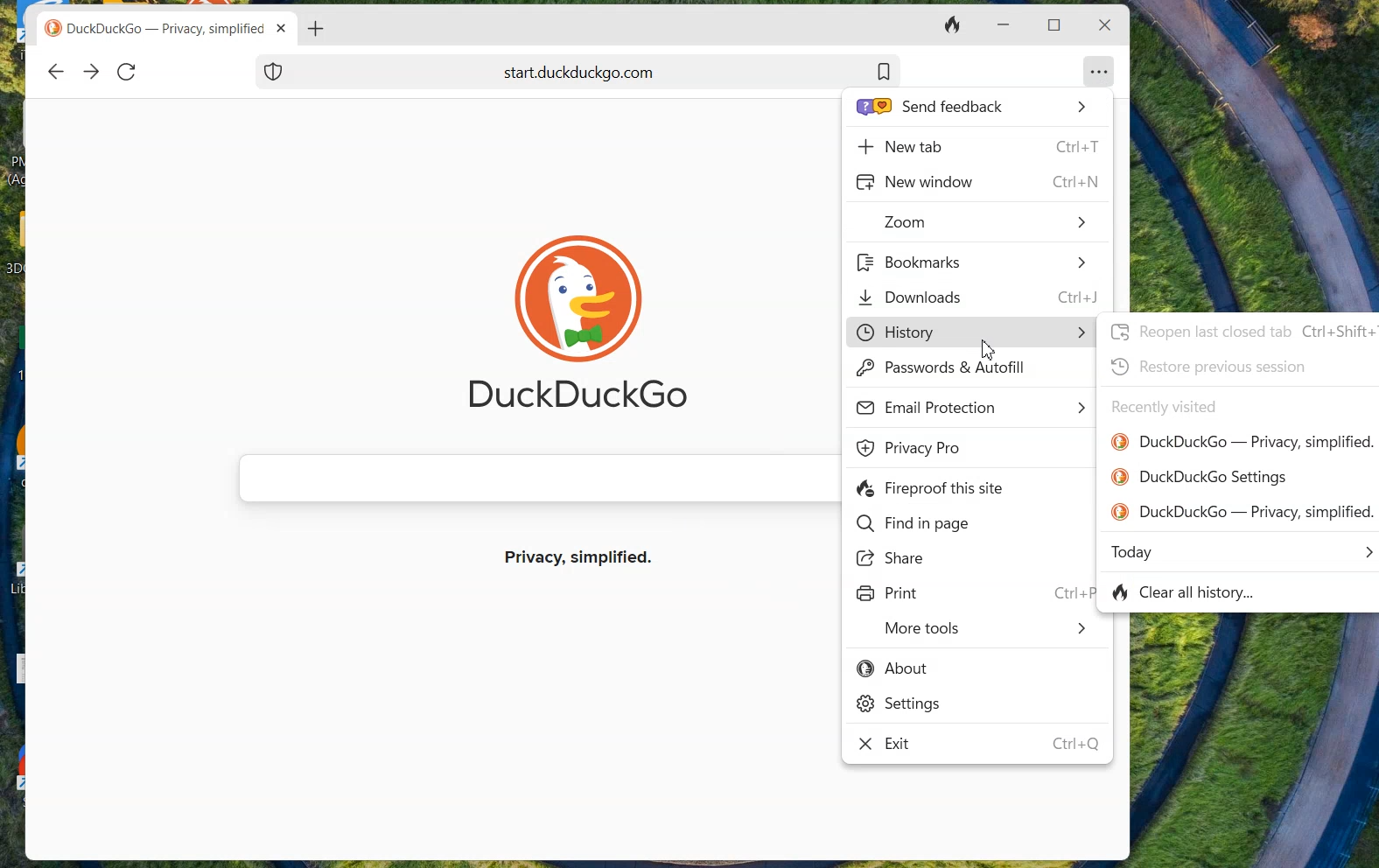 The height and width of the screenshot is (868, 1379). Describe the element at coordinates (91, 73) in the screenshot. I see `Forward` at that location.